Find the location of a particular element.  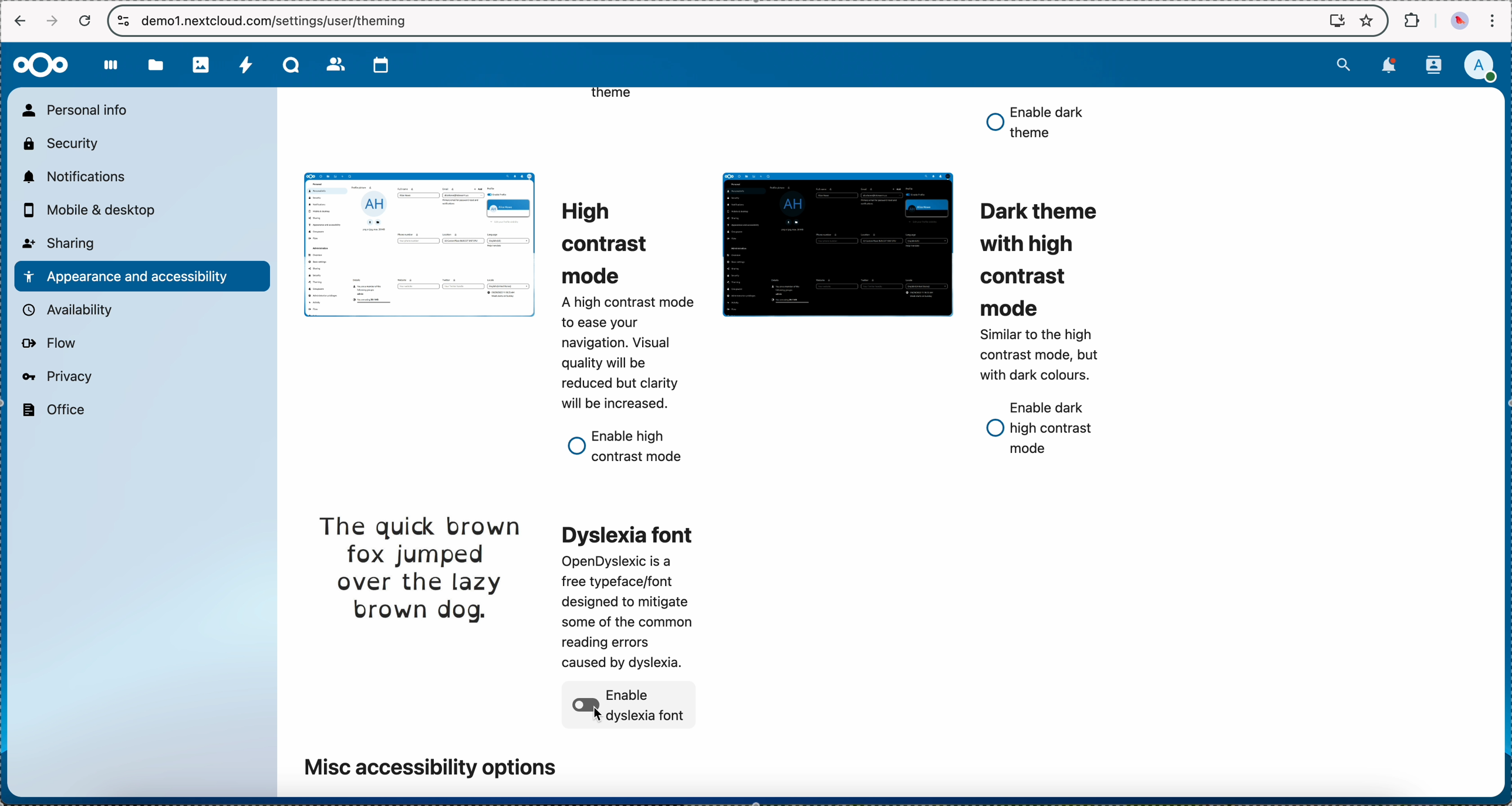

refresh the page is located at coordinates (86, 21).